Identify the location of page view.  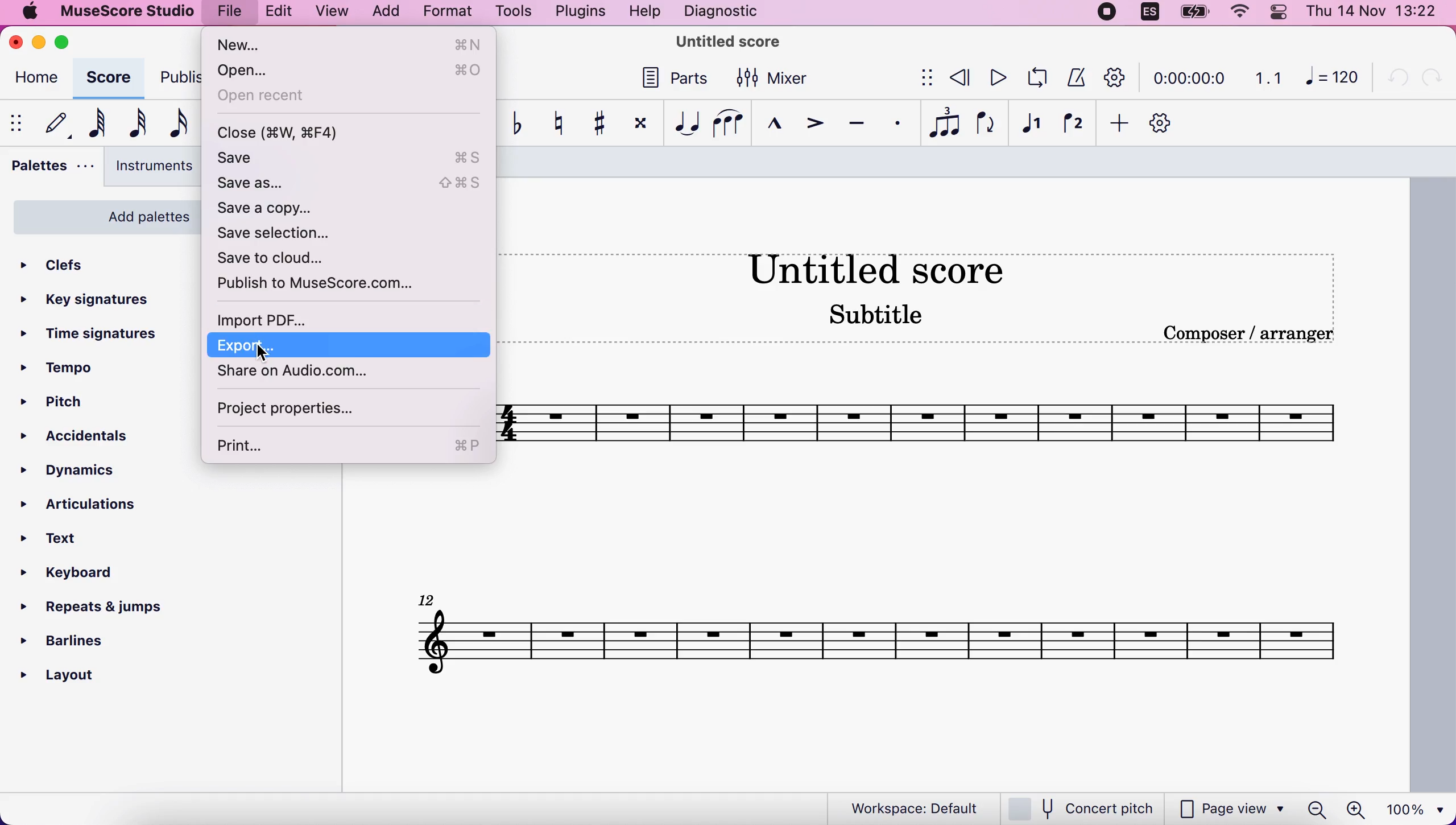
(1232, 810).